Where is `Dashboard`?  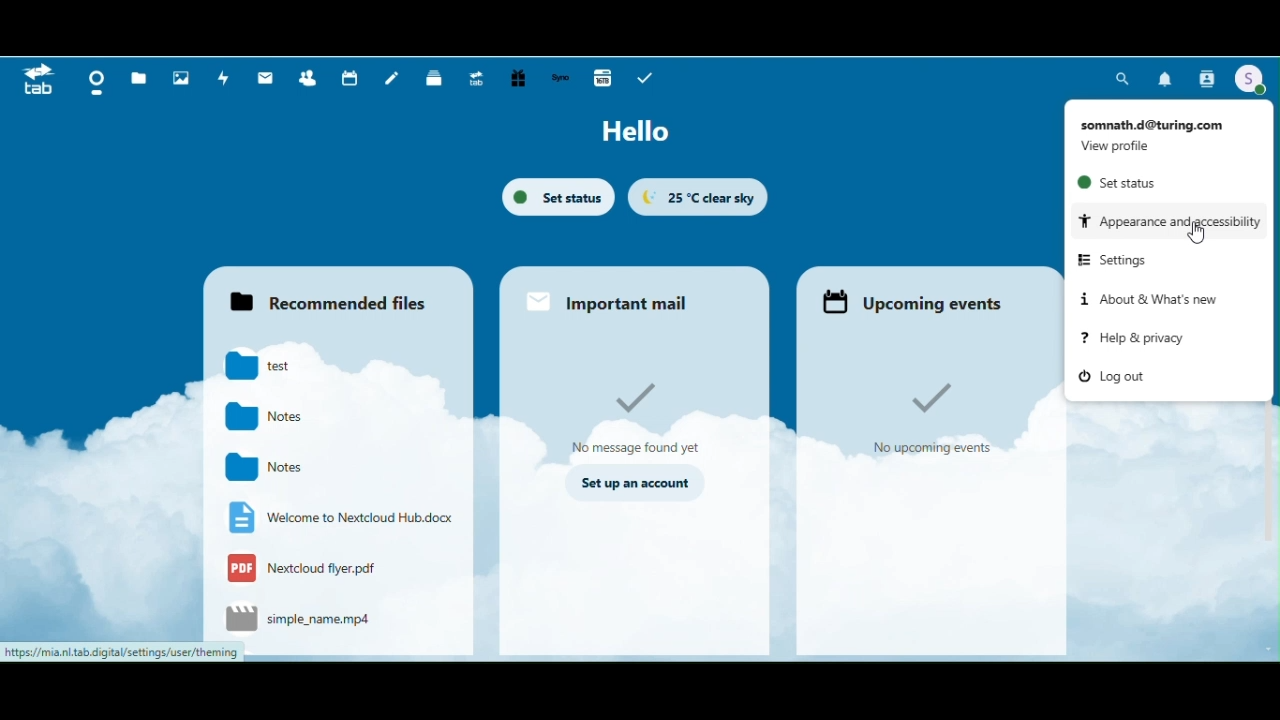
Dashboard is located at coordinates (93, 80).